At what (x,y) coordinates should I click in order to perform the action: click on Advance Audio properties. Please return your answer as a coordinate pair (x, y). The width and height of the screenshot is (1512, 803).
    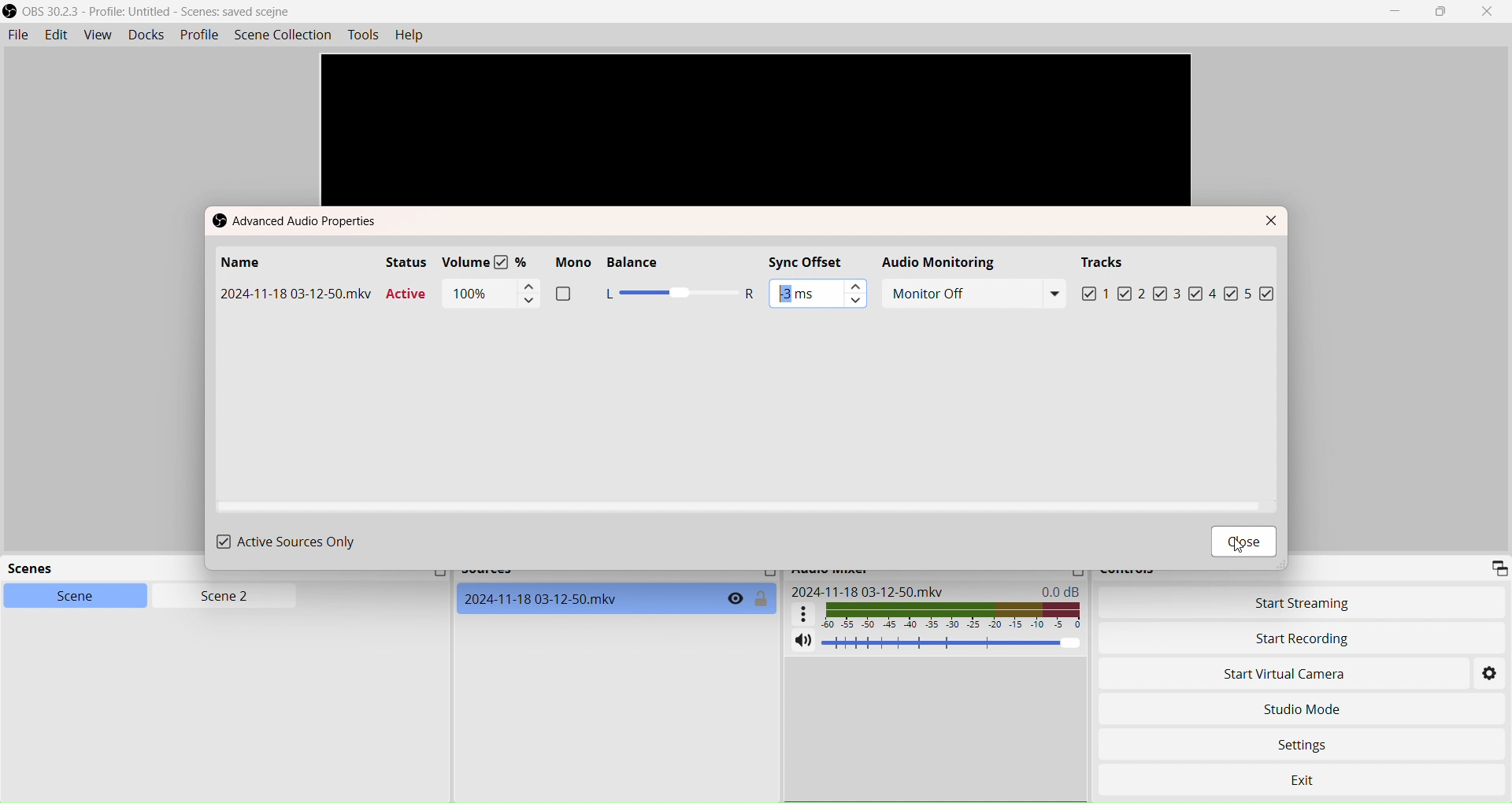
    Looking at the image, I should click on (303, 222).